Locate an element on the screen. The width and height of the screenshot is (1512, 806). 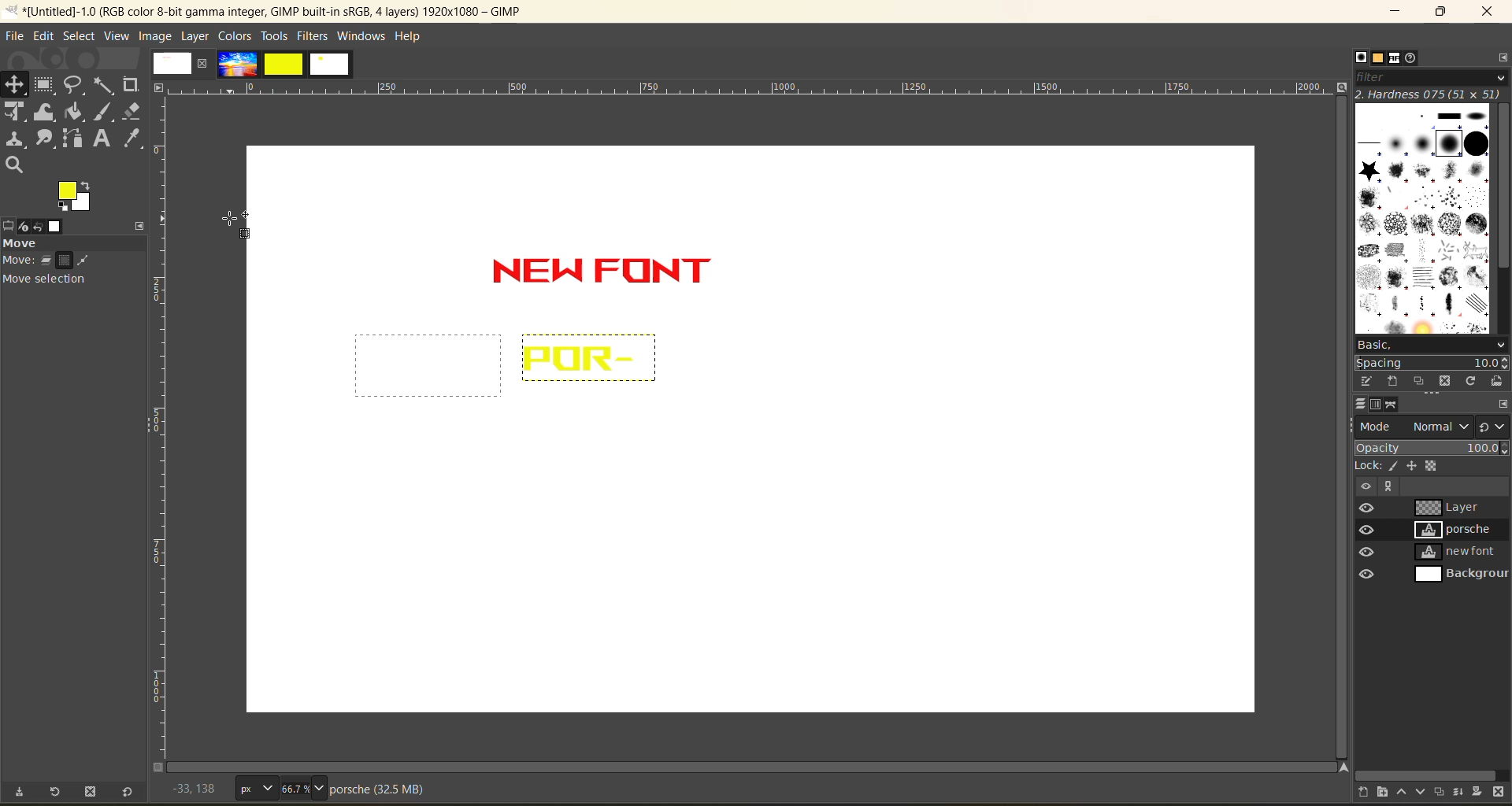
paint brush is located at coordinates (105, 114).